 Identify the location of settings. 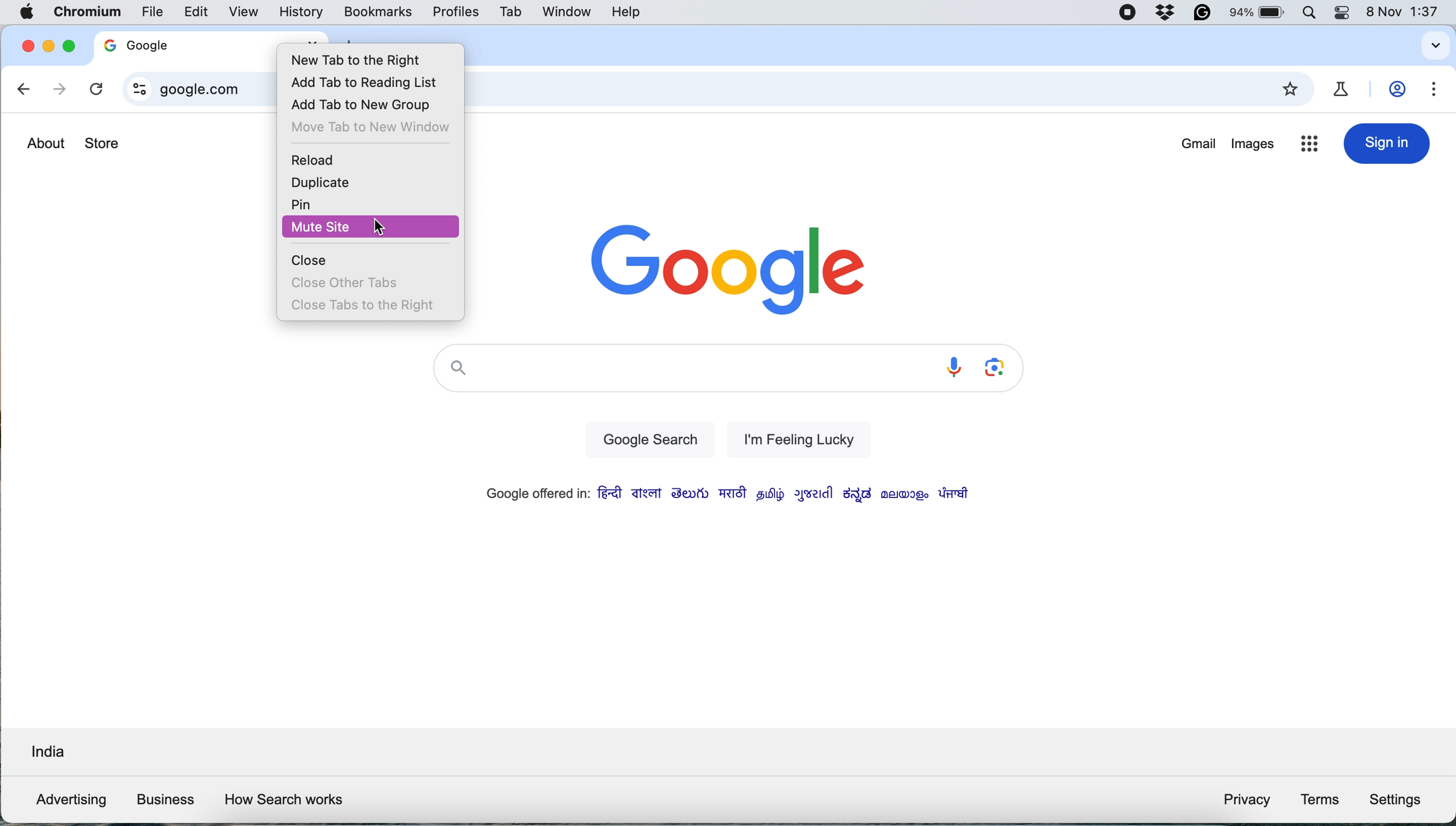
(1436, 90).